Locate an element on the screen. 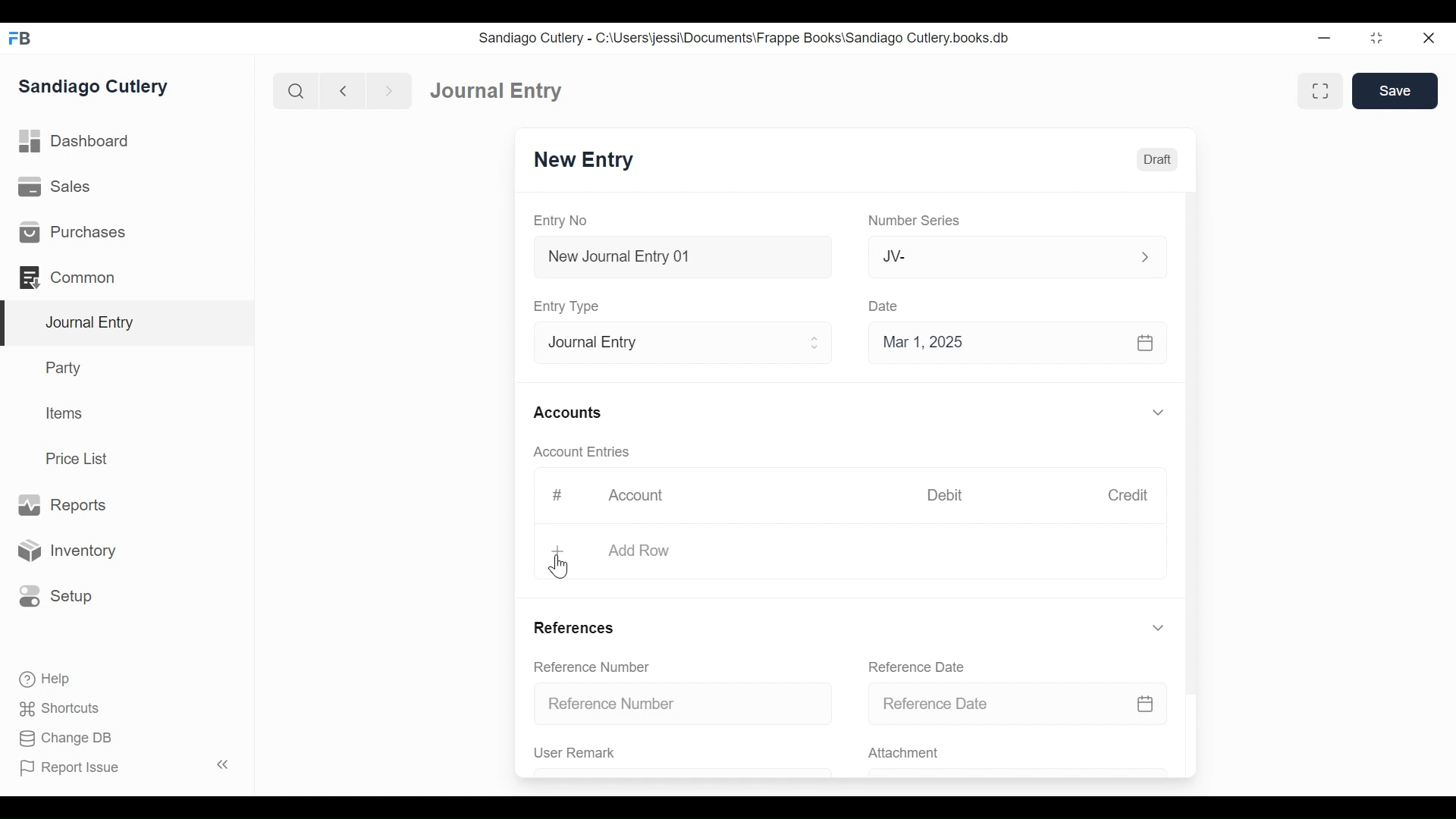 This screenshot has width=1456, height=819. back is located at coordinates (343, 89).